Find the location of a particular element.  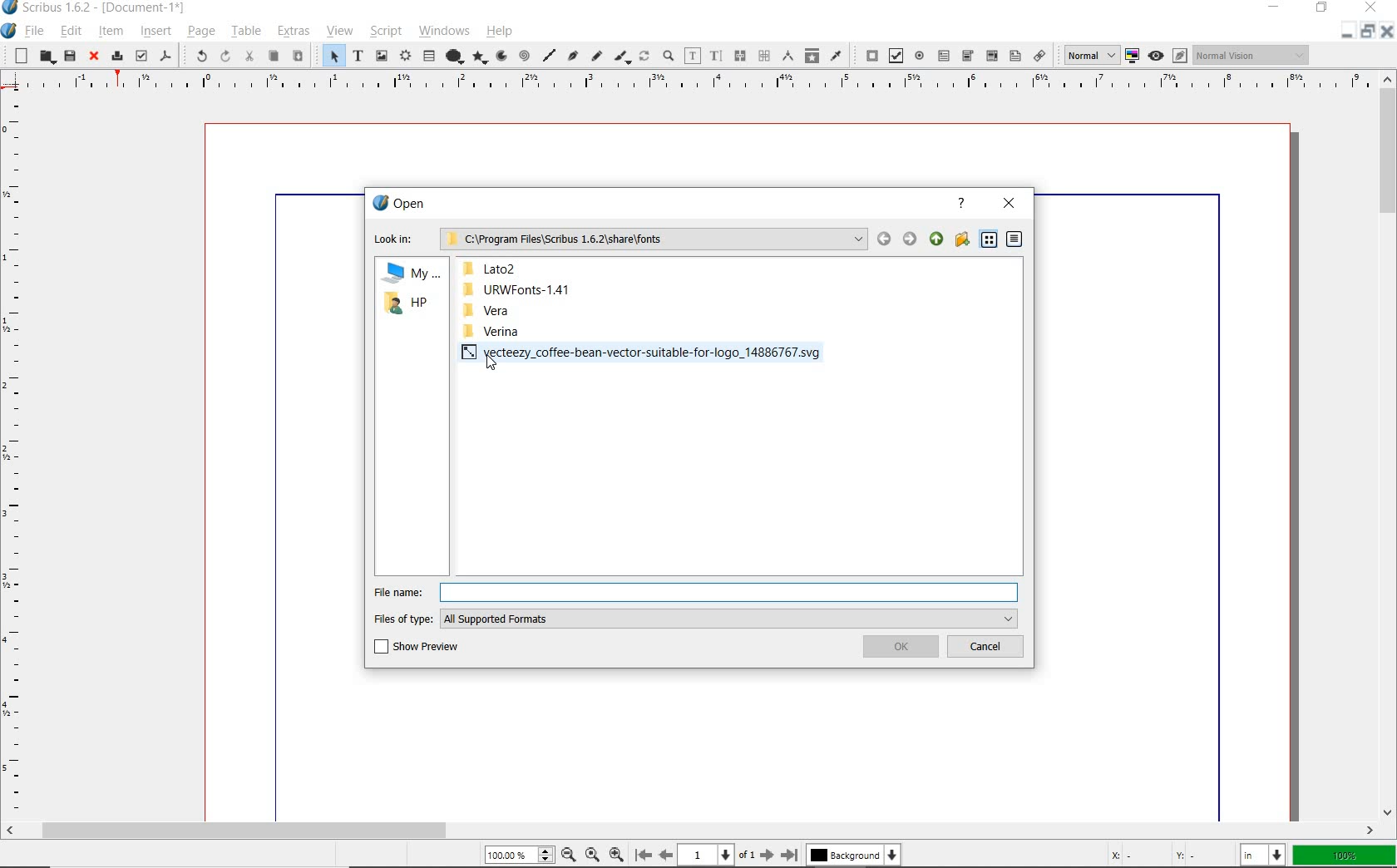

vera is located at coordinates (508, 309).